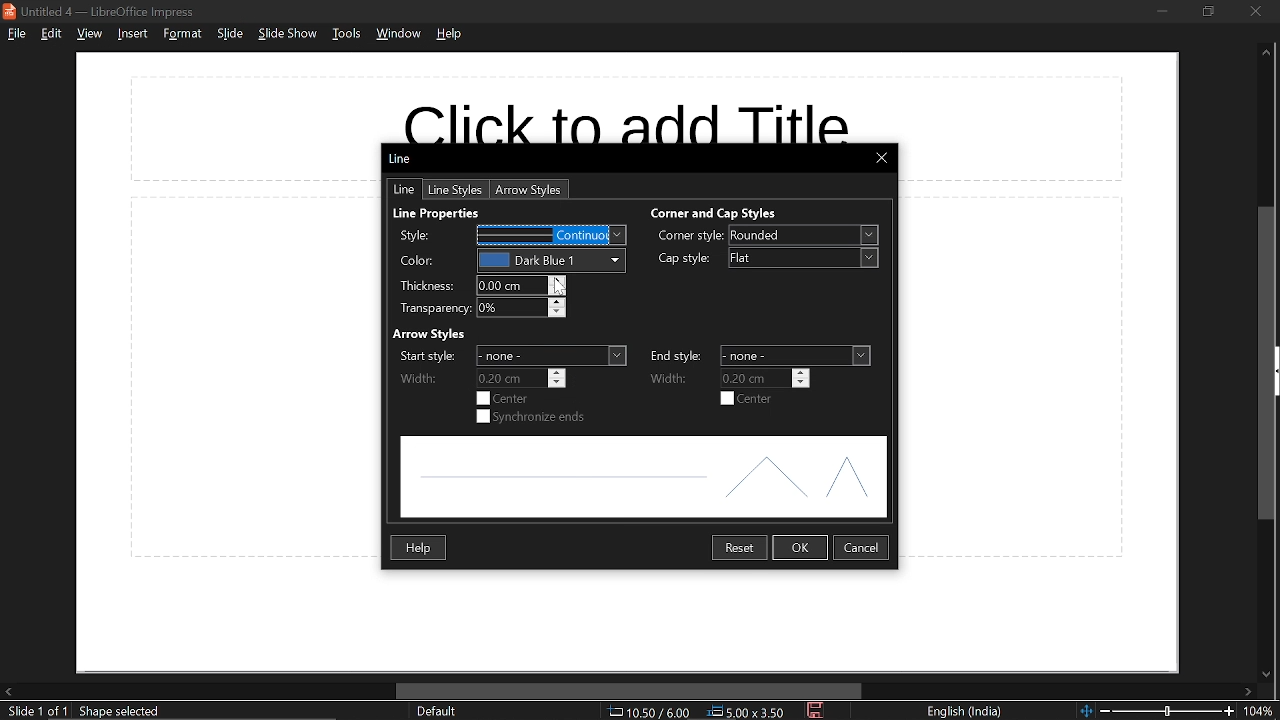 The image size is (1280, 720). I want to click on cancel, so click(862, 548).